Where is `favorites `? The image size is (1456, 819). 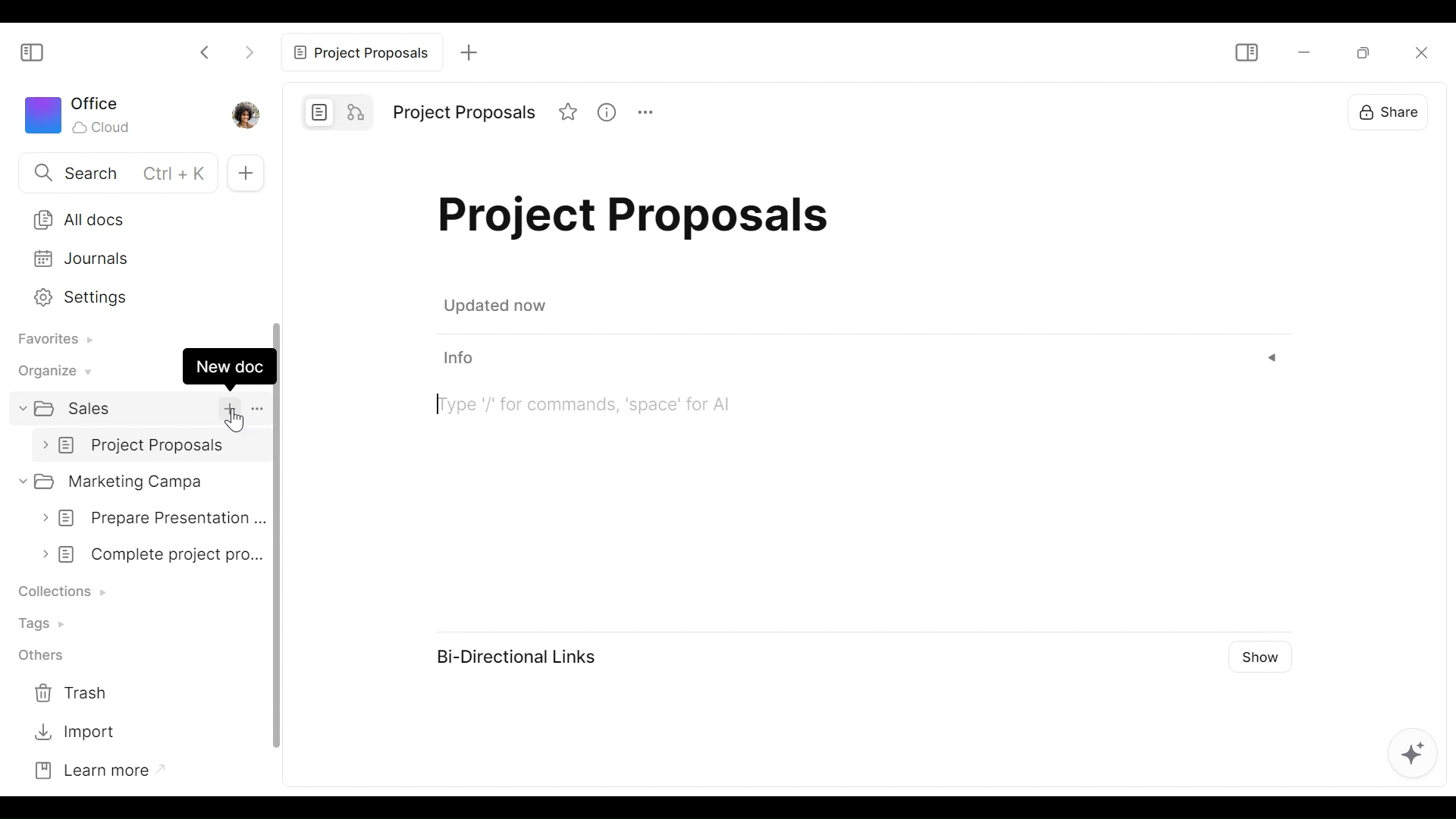 favorites  is located at coordinates (571, 112).